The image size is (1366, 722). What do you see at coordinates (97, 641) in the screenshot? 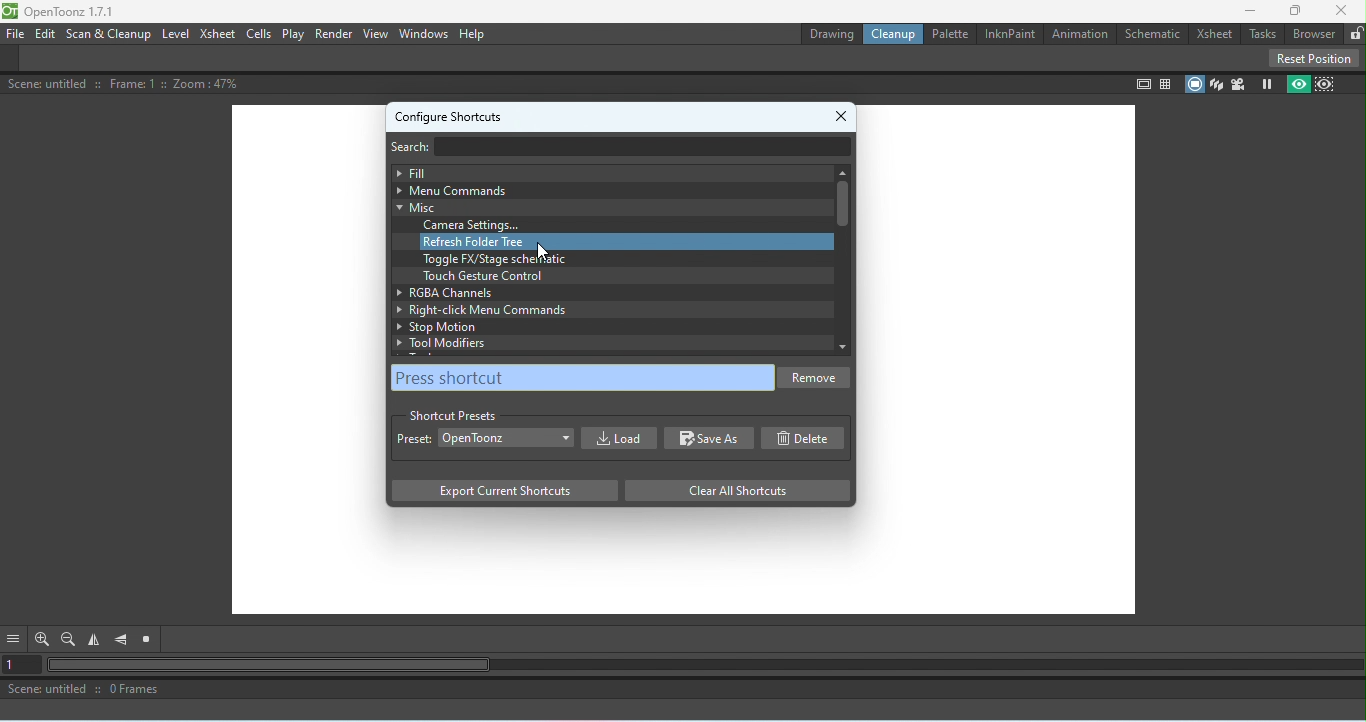
I see `Flip horizontal` at bounding box center [97, 641].